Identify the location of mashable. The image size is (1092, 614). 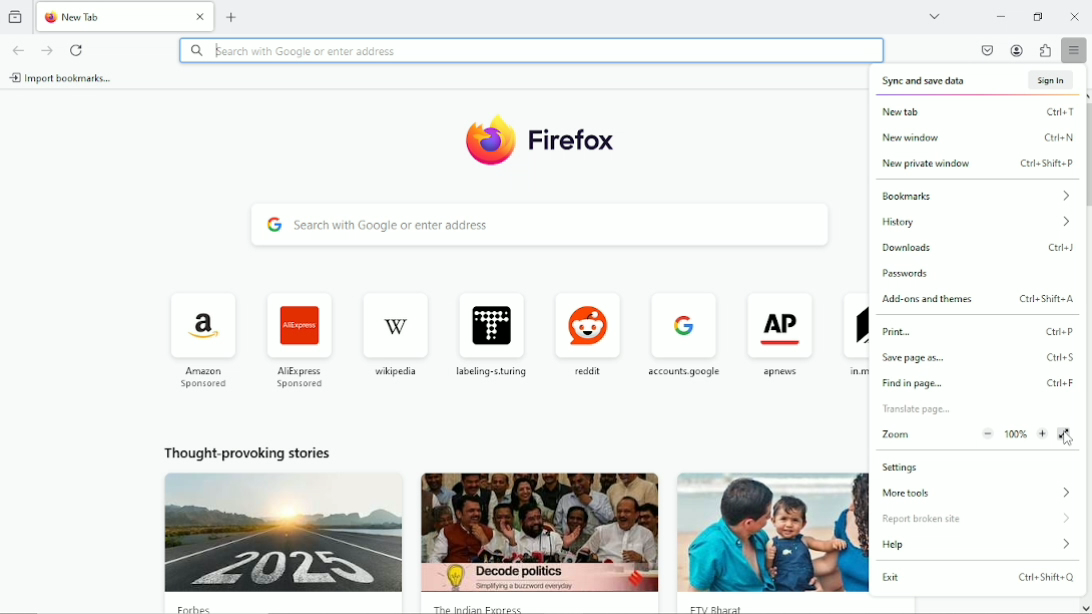
(852, 330).